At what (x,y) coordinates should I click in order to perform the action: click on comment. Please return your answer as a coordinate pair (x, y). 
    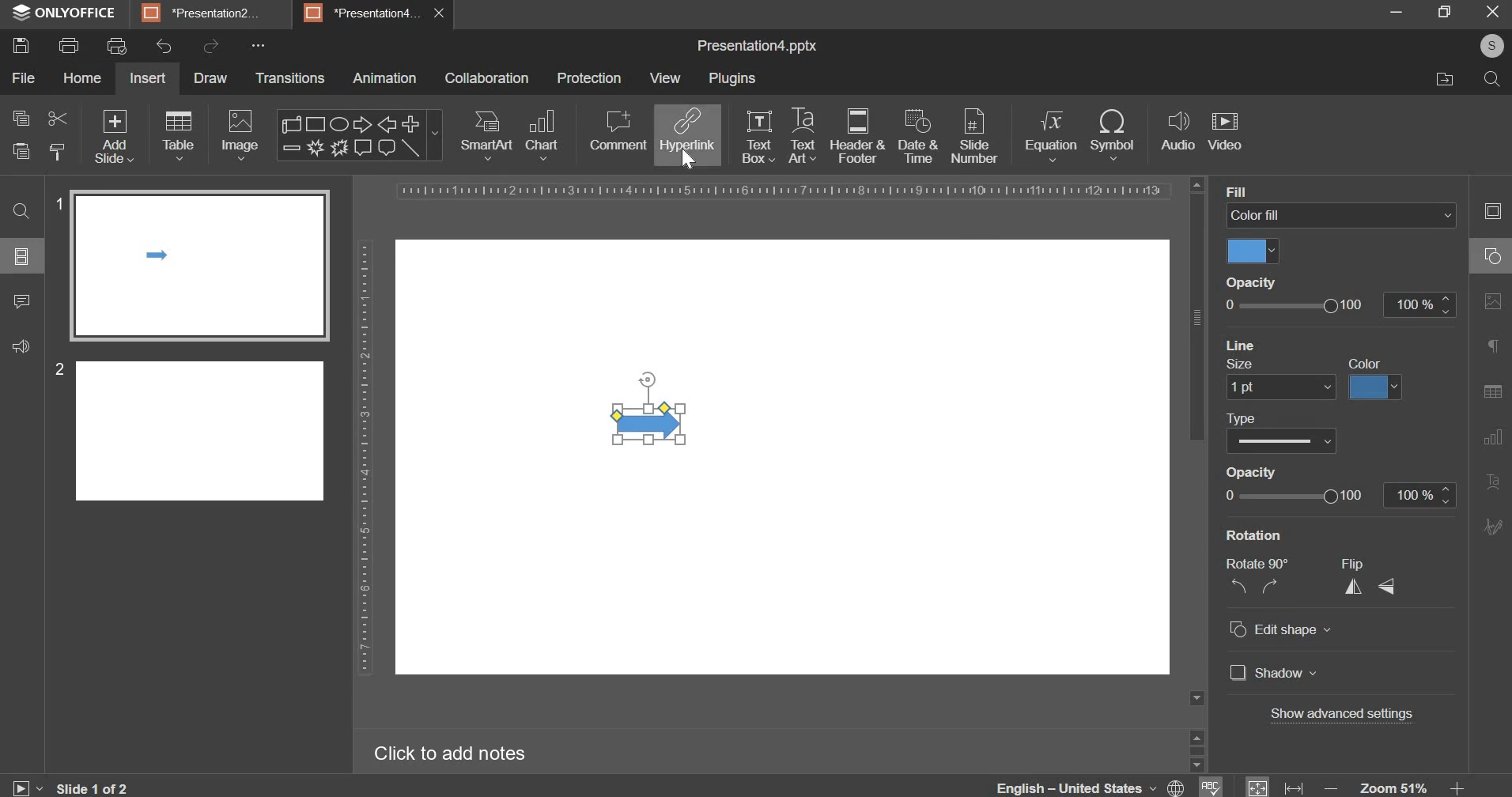
    Looking at the image, I should click on (617, 131).